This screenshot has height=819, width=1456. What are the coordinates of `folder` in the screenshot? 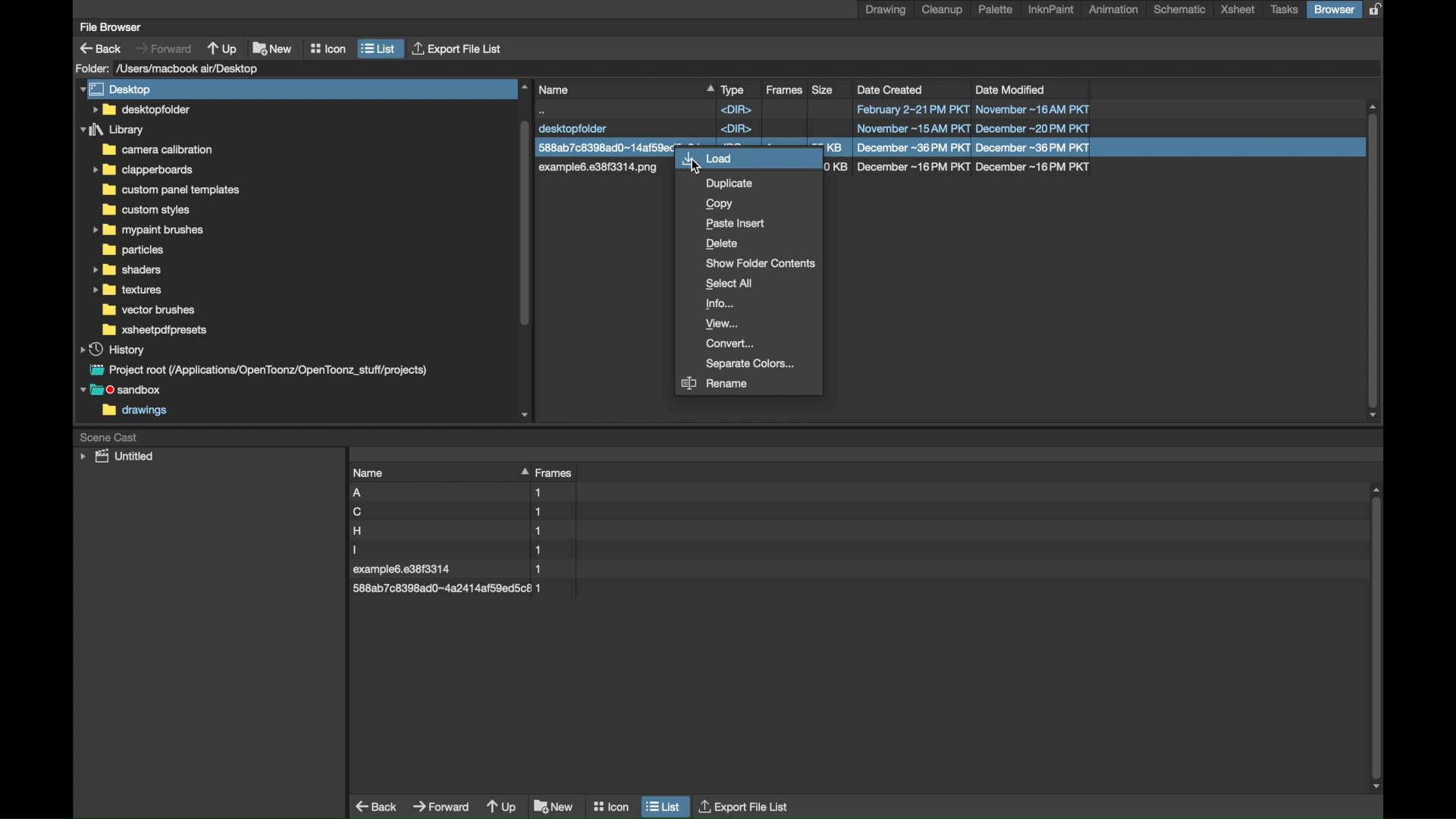 It's located at (143, 170).